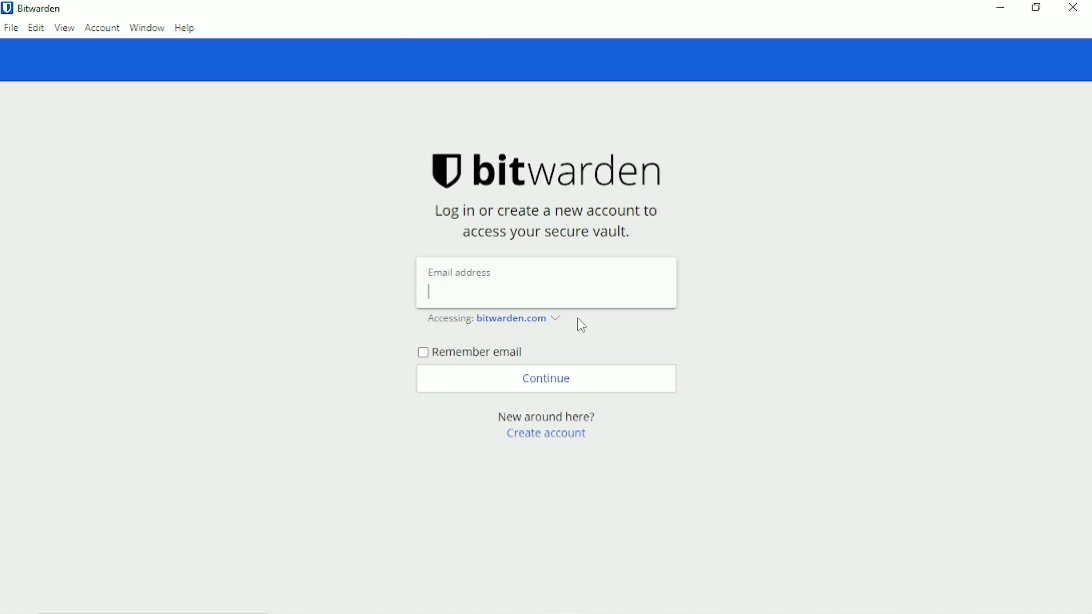  Describe the element at coordinates (568, 171) in the screenshot. I see `bitwarden` at that location.